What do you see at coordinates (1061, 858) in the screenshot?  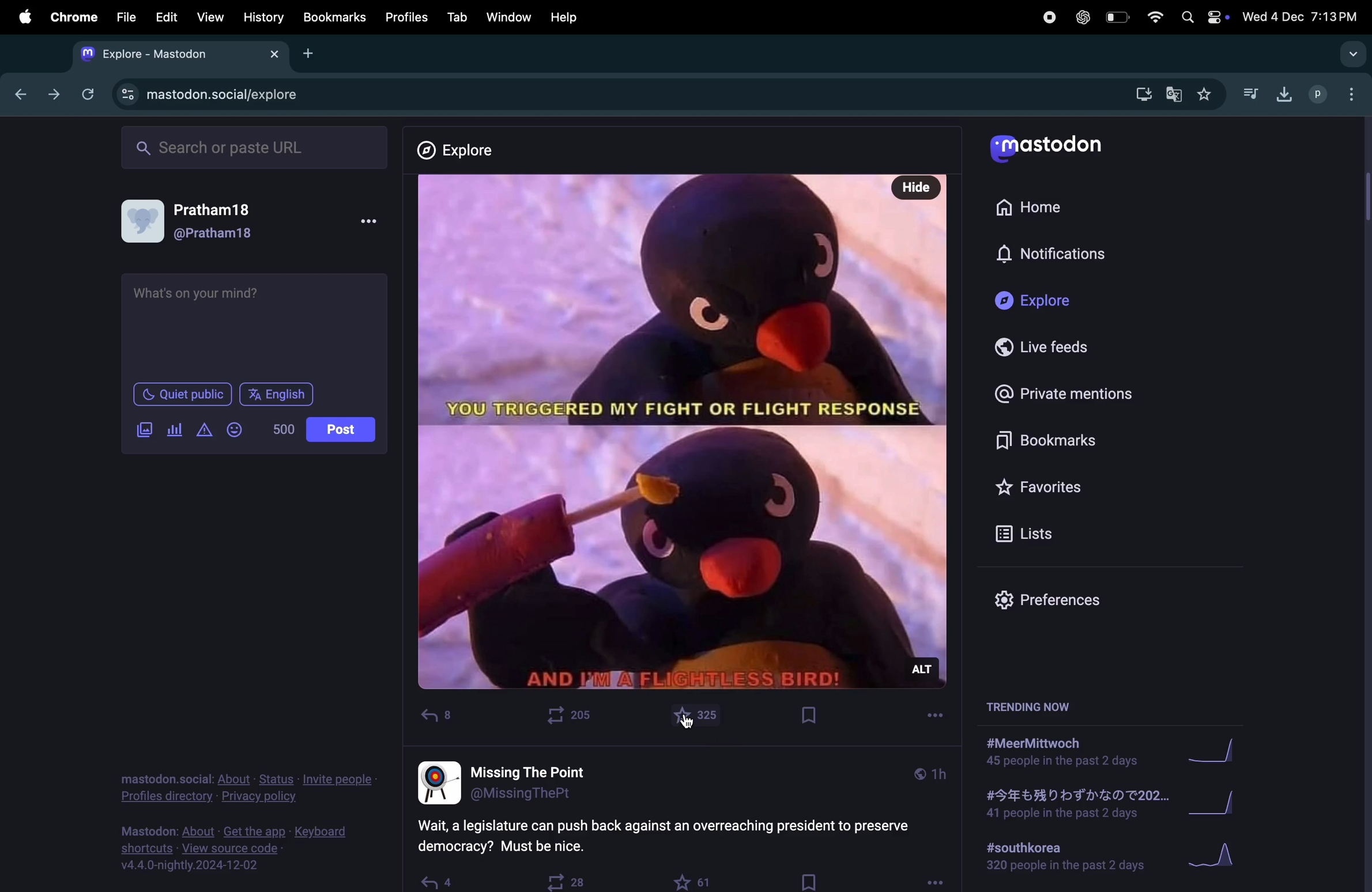 I see `#southkorea` at bounding box center [1061, 858].